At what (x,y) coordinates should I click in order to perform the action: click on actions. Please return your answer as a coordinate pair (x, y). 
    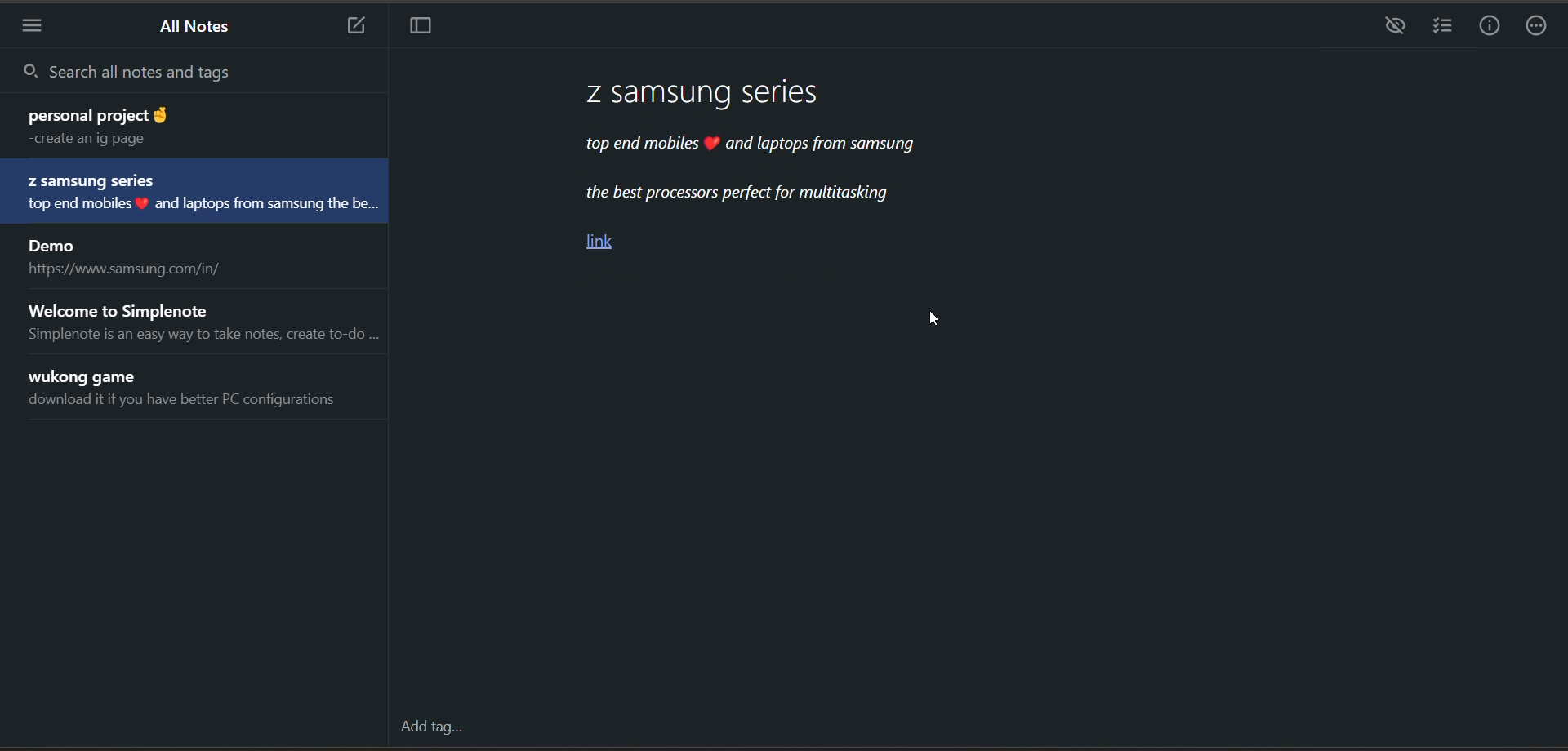
    Looking at the image, I should click on (1538, 29).